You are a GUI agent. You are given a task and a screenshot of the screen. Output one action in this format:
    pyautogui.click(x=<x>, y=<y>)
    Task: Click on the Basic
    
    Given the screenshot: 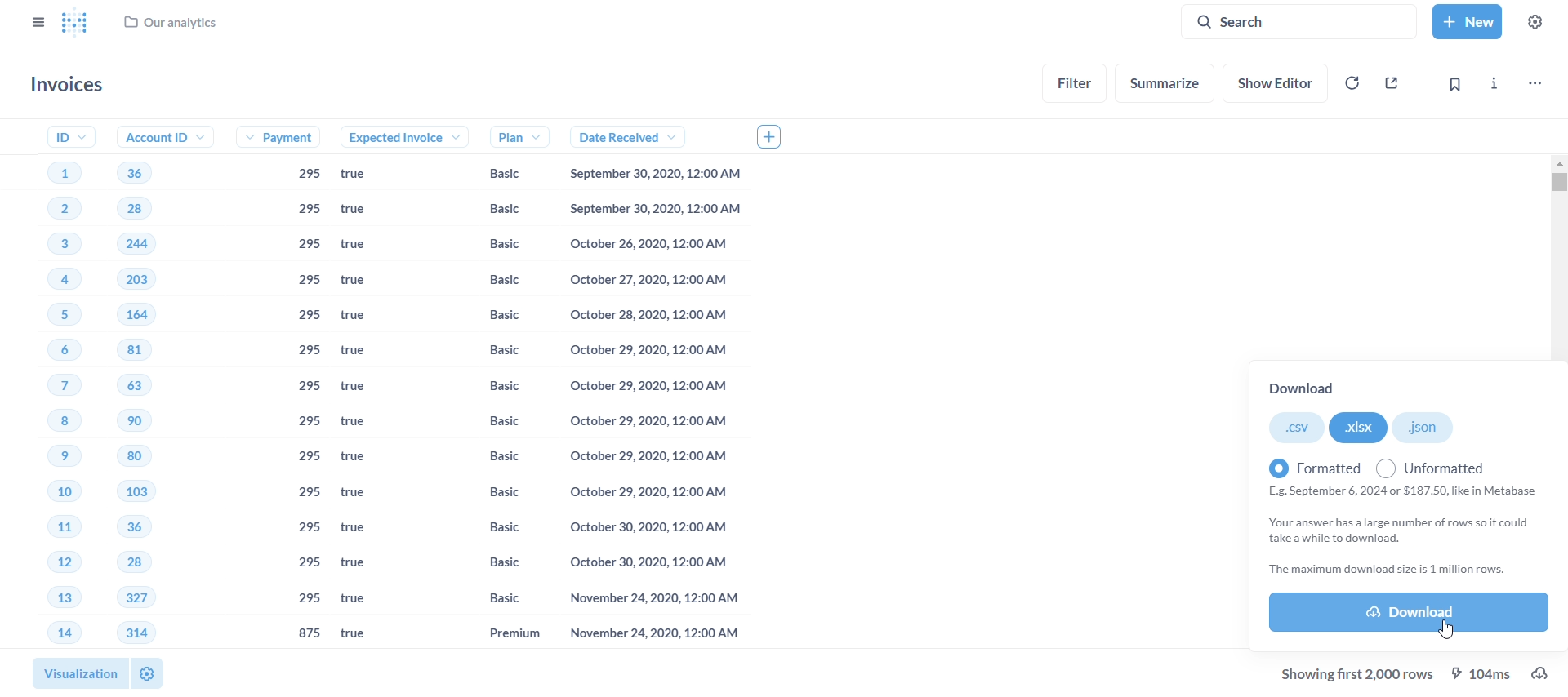 What is the action you would take?
    pyautogui.click(x=491, y=245)
    